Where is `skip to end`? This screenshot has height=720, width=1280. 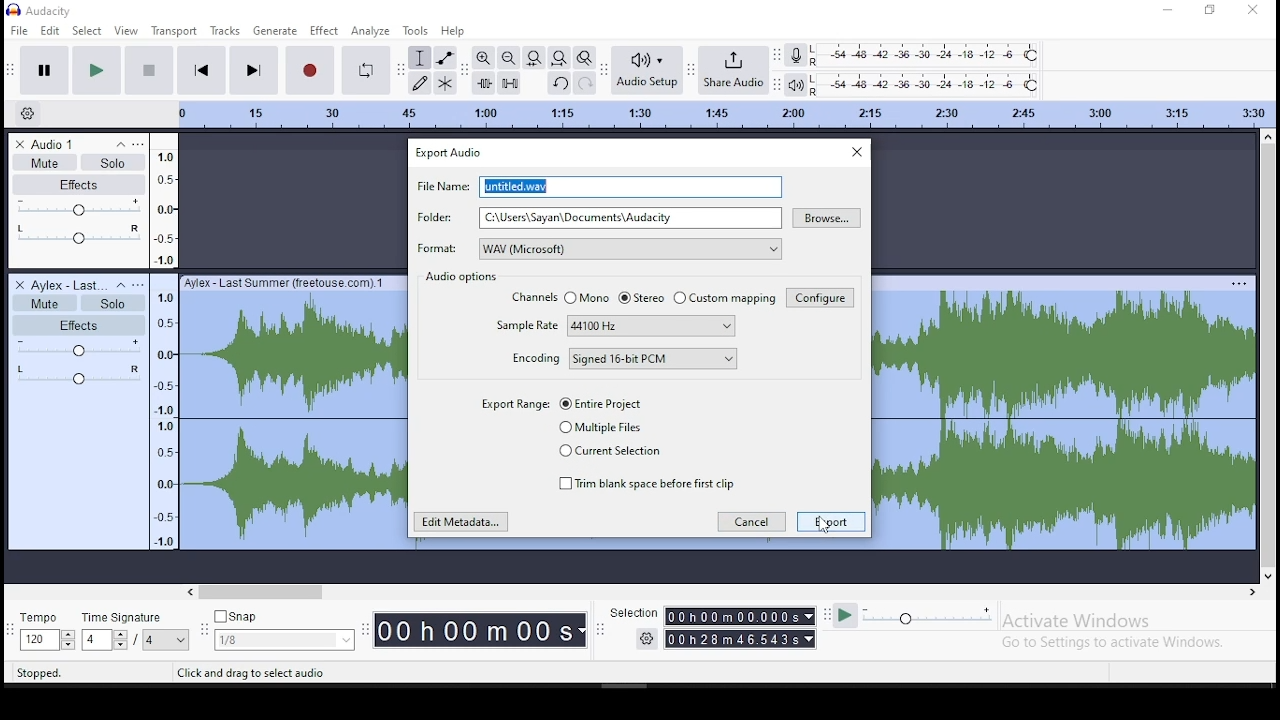
skip to end is located at coordinates (255, 69).